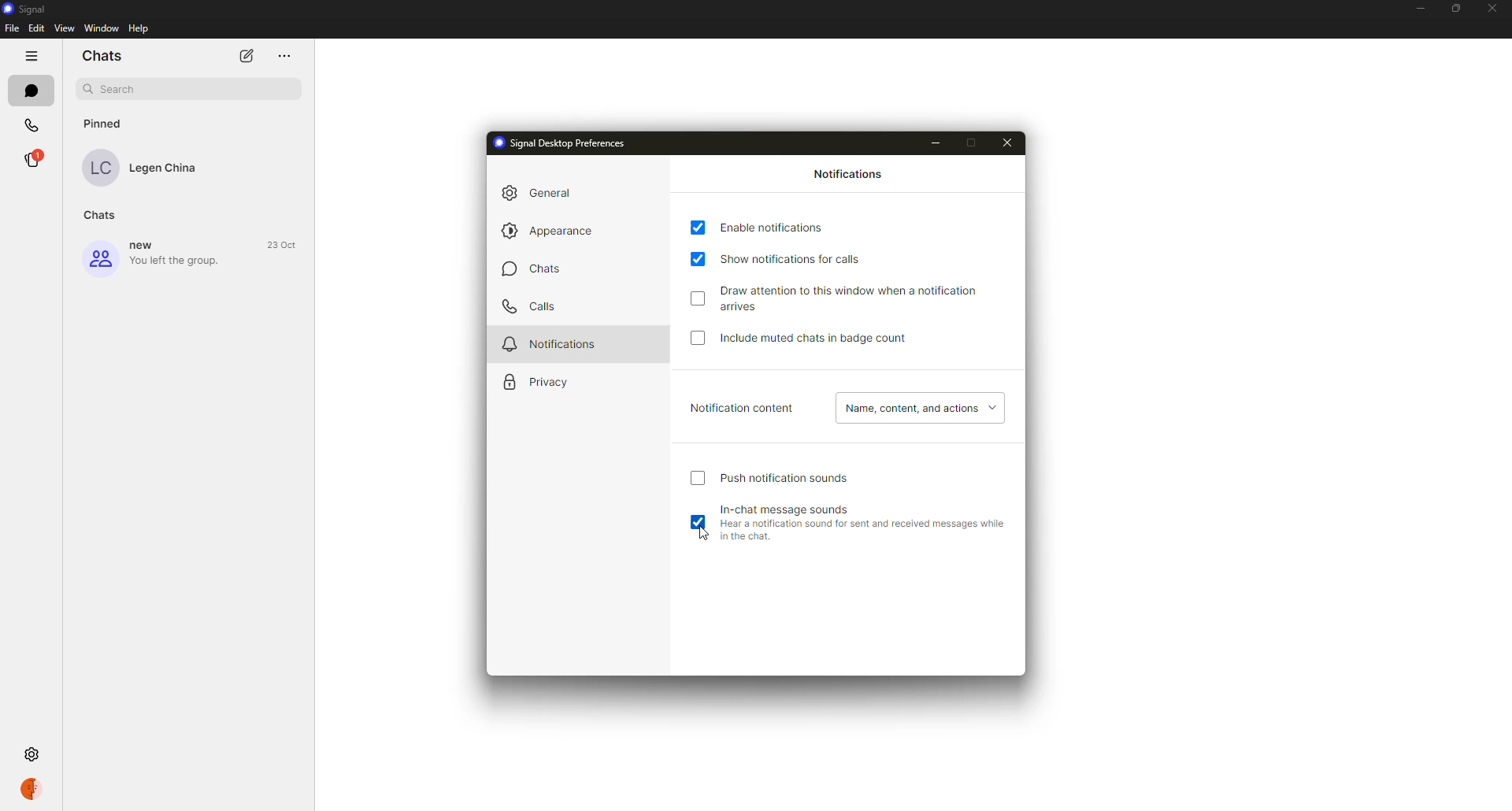 This screenshot has width=1512, height=811. I want to click on tap to select, so click(697, 478).